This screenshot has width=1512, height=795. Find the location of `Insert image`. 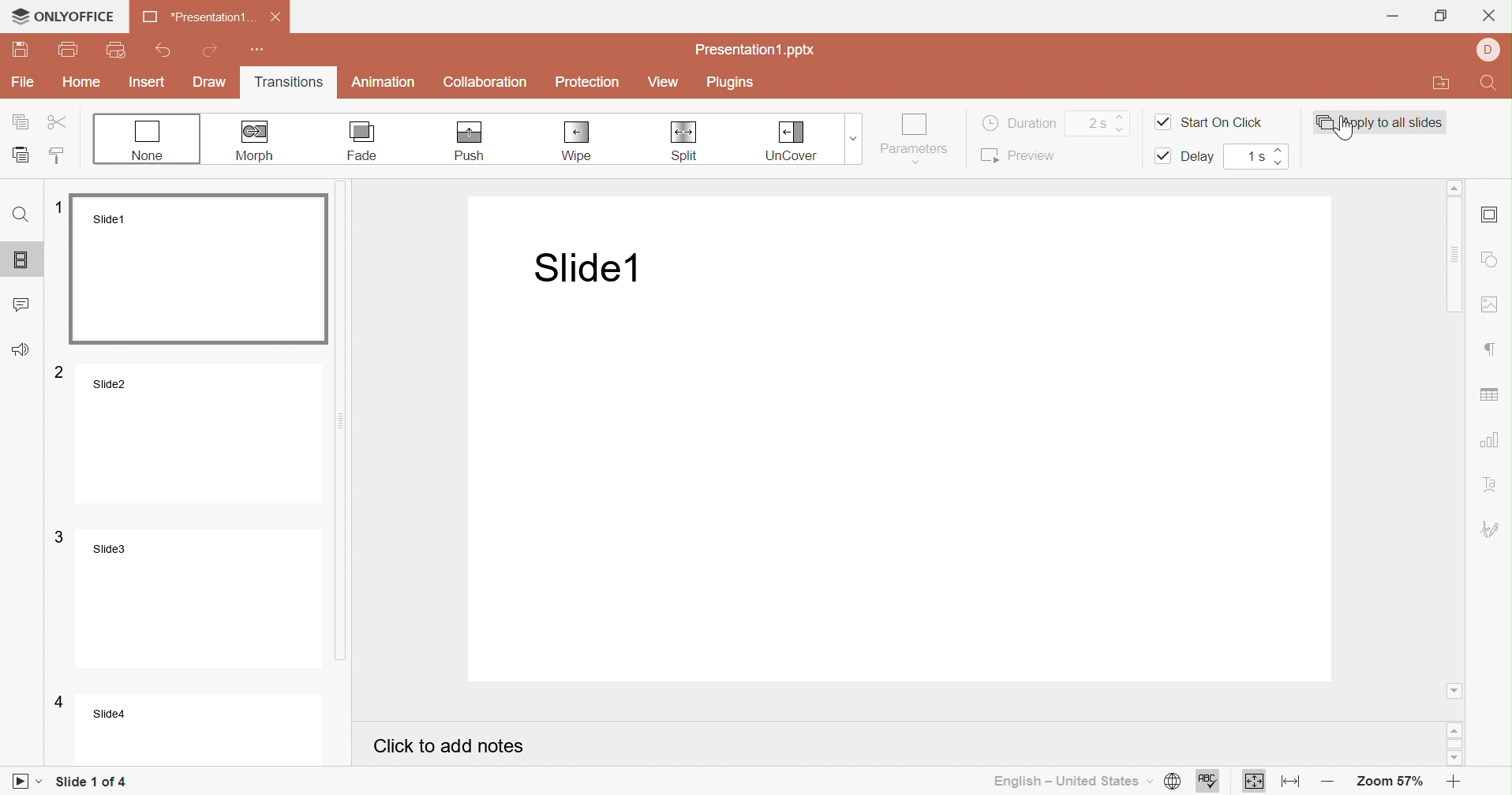

Insert image is located at coordinates (1488, 305).